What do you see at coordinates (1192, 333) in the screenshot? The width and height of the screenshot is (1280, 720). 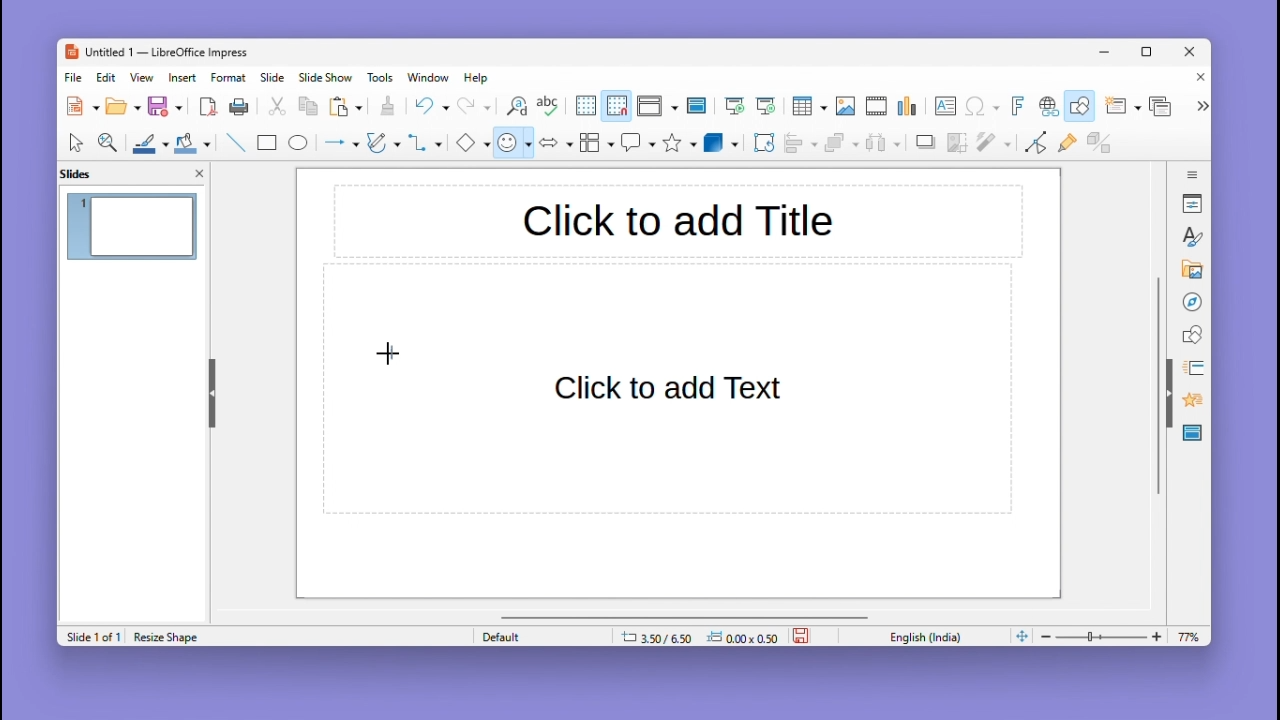 I see `shapes` at bounding box center [1192, 333].